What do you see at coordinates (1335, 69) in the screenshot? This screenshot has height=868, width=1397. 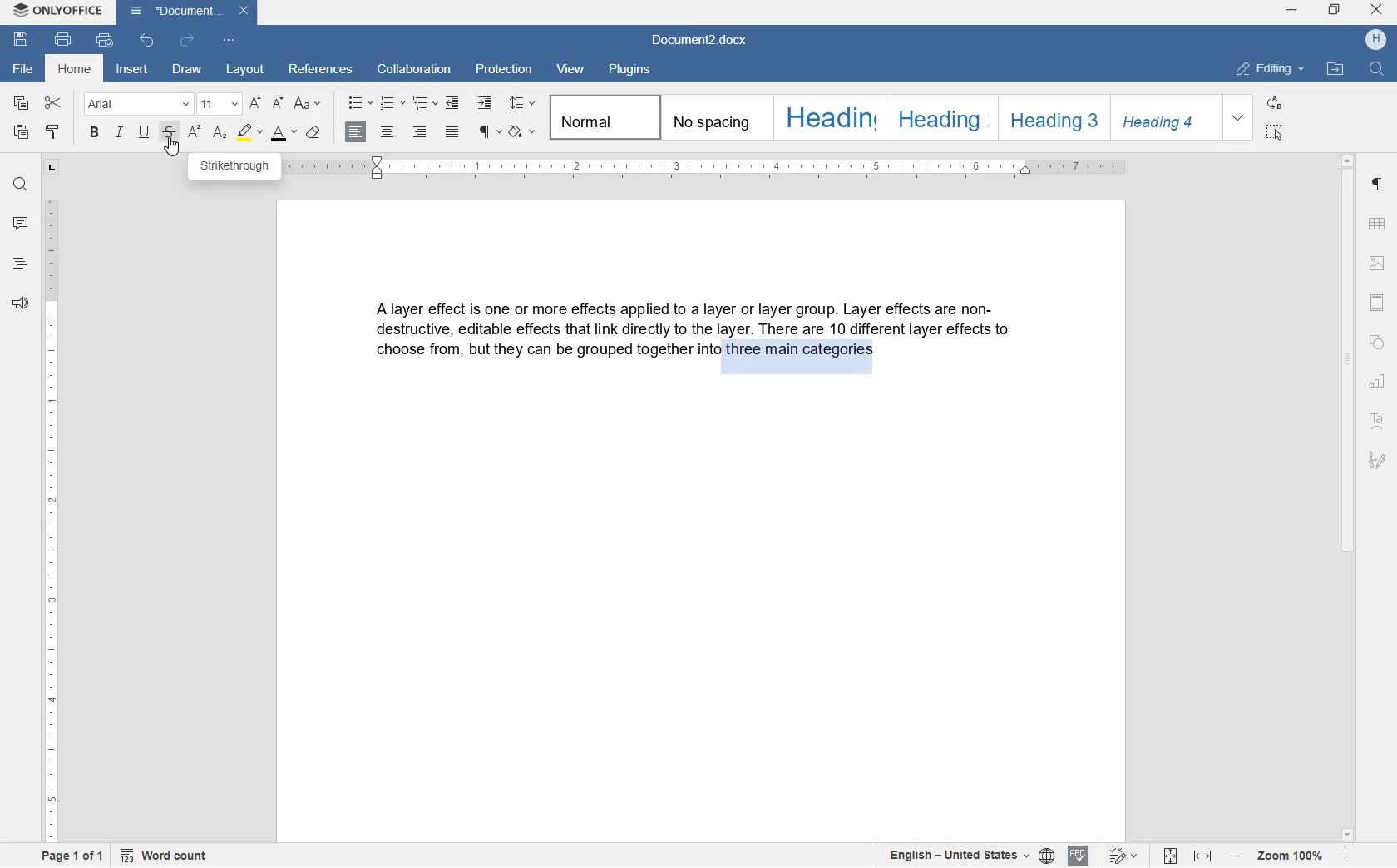 I see `open file locatio` at bounding box center [1335, 69].